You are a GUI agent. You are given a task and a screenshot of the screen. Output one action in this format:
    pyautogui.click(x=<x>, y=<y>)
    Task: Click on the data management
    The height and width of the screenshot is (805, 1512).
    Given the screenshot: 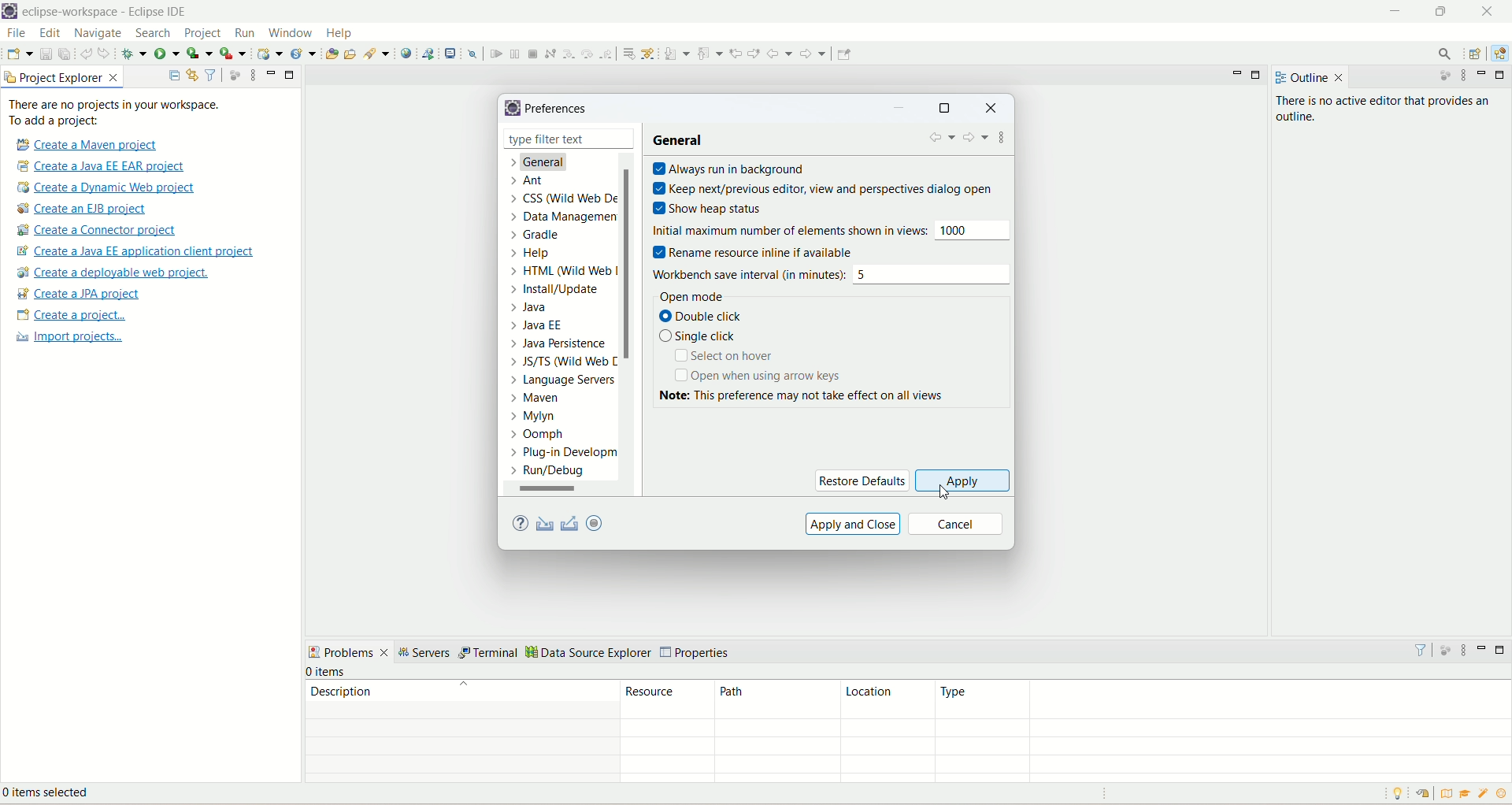 What is the action you would take?
    pyautogui.click(x=568, y=219)
    